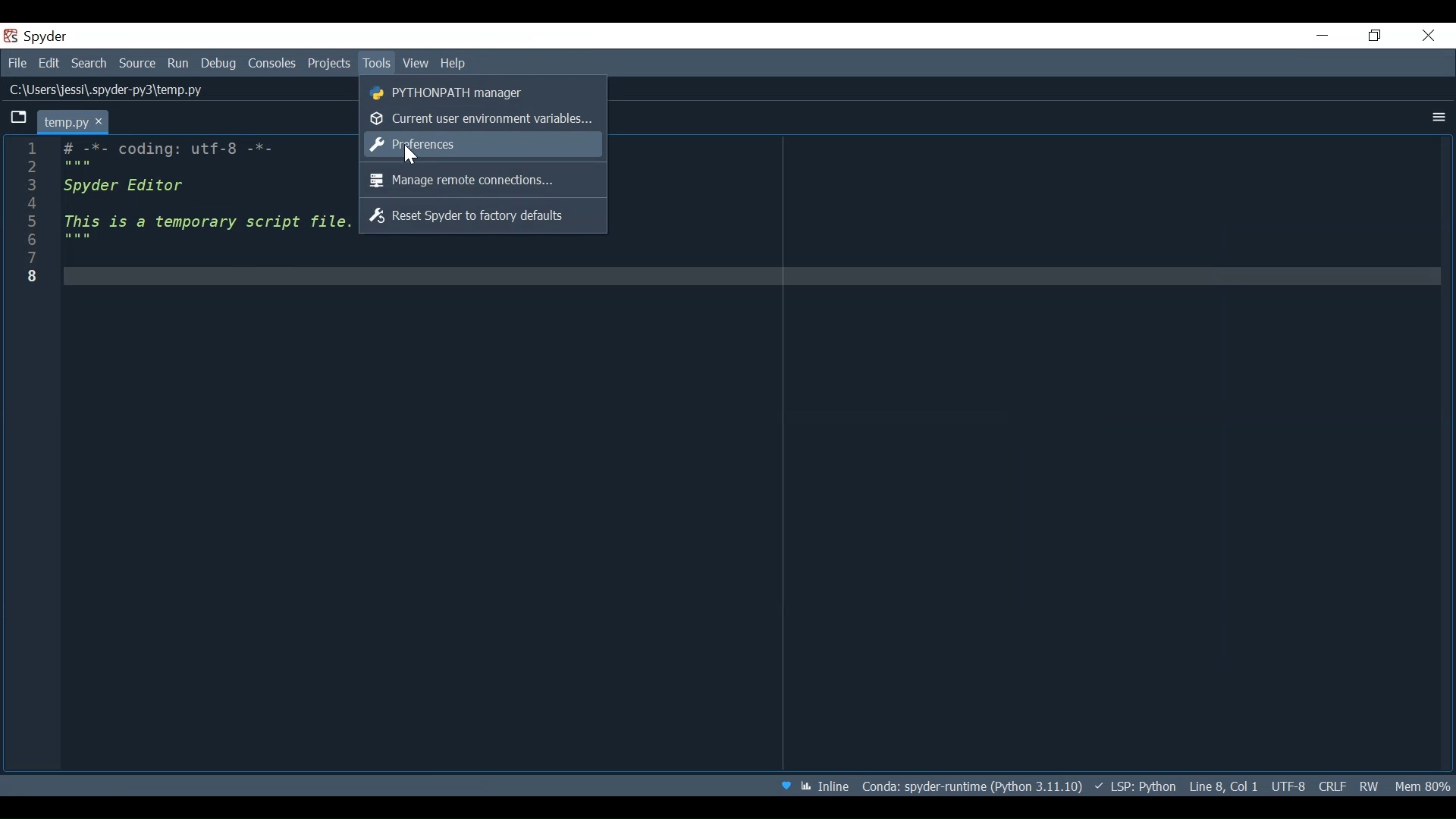 Image resolution: width=1456 pixels, height=819 pixels. Describe the element at coordinates (174, 63) in the screenshot. I see `Run` at that location.